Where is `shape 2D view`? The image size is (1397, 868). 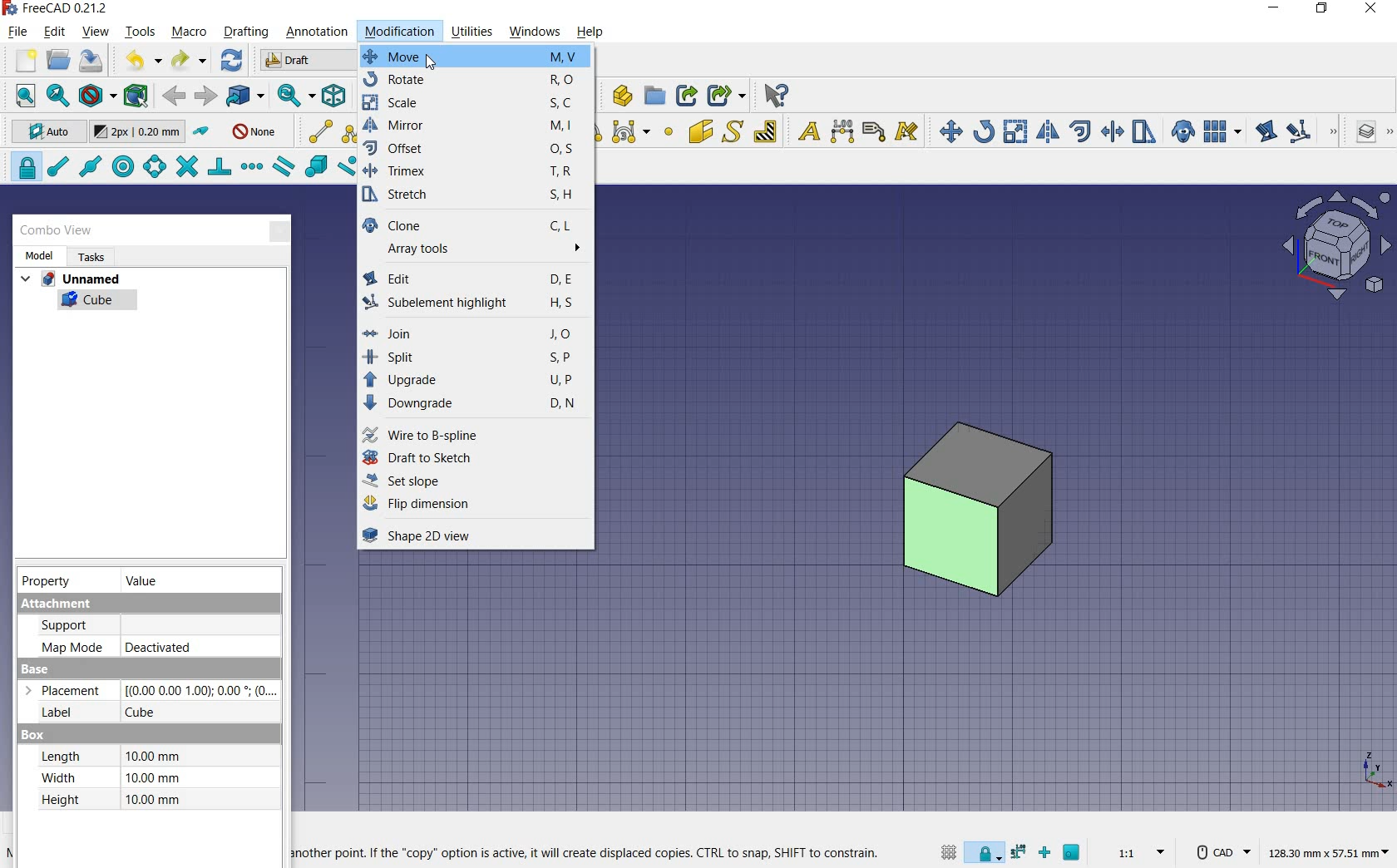
shape 2D view is located at coordinates (467, 535).